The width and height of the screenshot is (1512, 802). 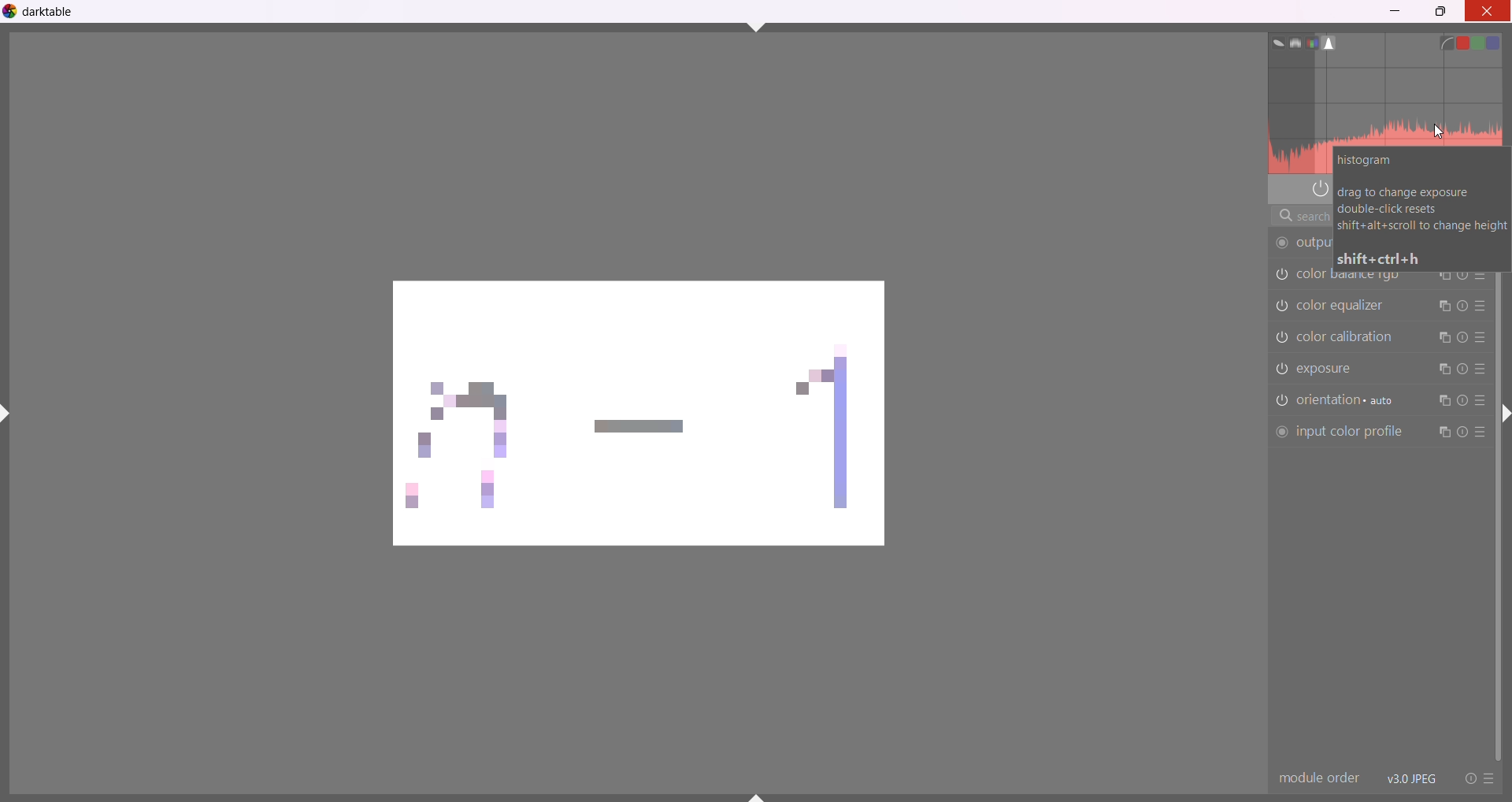 I want to click on instance, so click(x=1443, y=306).